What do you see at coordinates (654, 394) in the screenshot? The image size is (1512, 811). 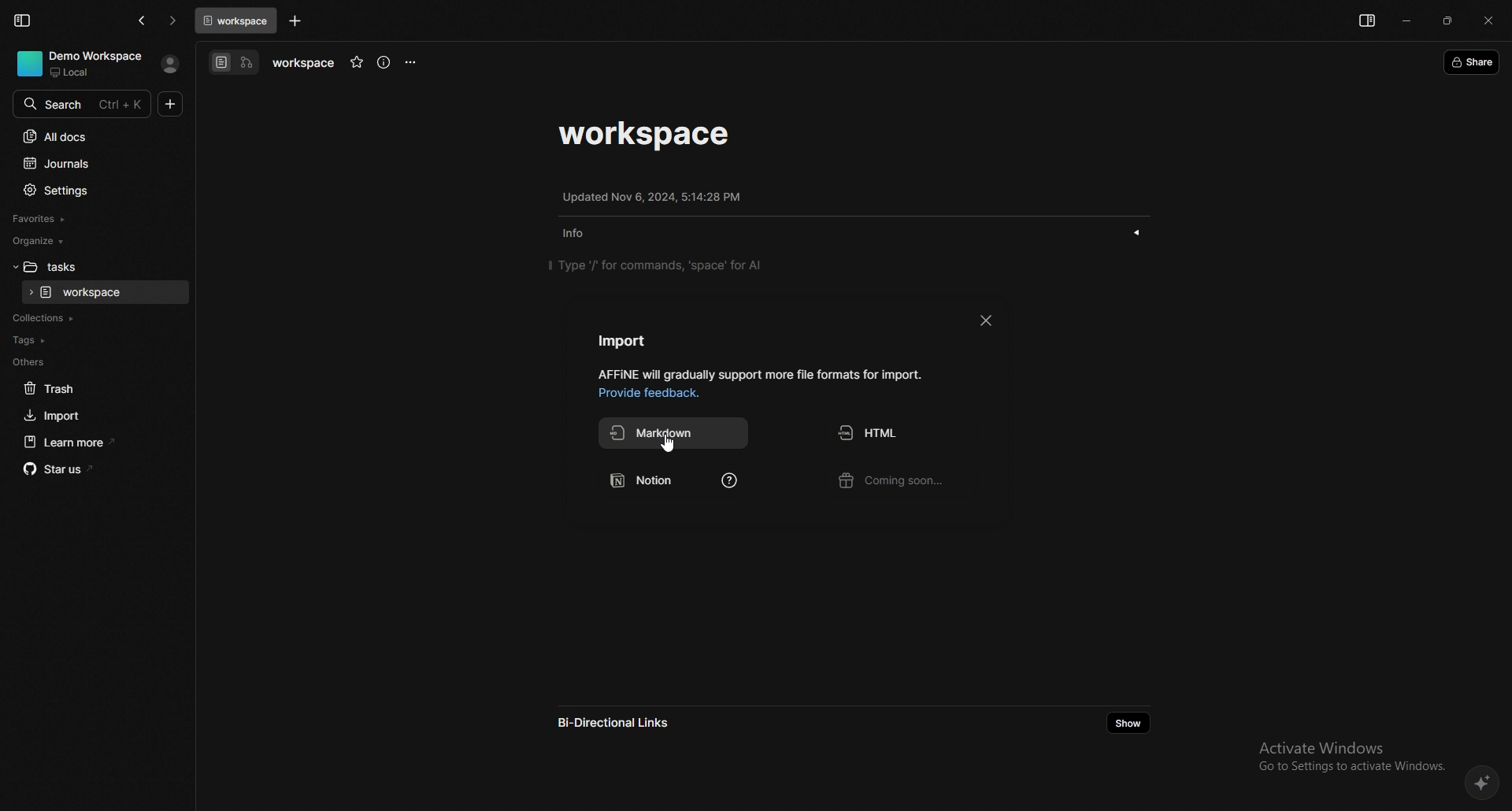 I see `provide feedback` at bounding box center [654, 394].